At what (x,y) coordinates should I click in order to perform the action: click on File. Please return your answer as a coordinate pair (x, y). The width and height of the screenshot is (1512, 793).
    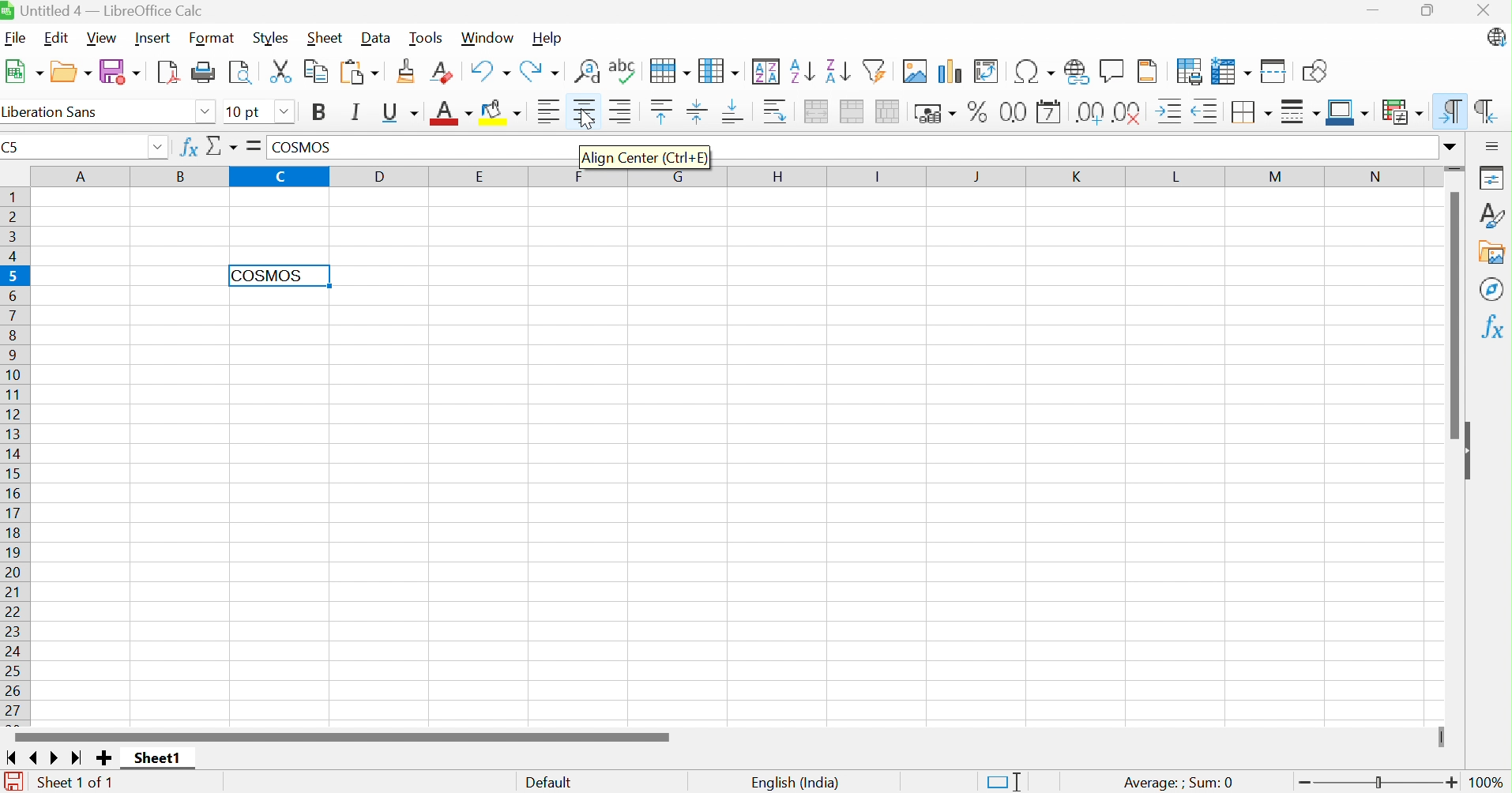
    Looking at the image, I should click on (20, 38).